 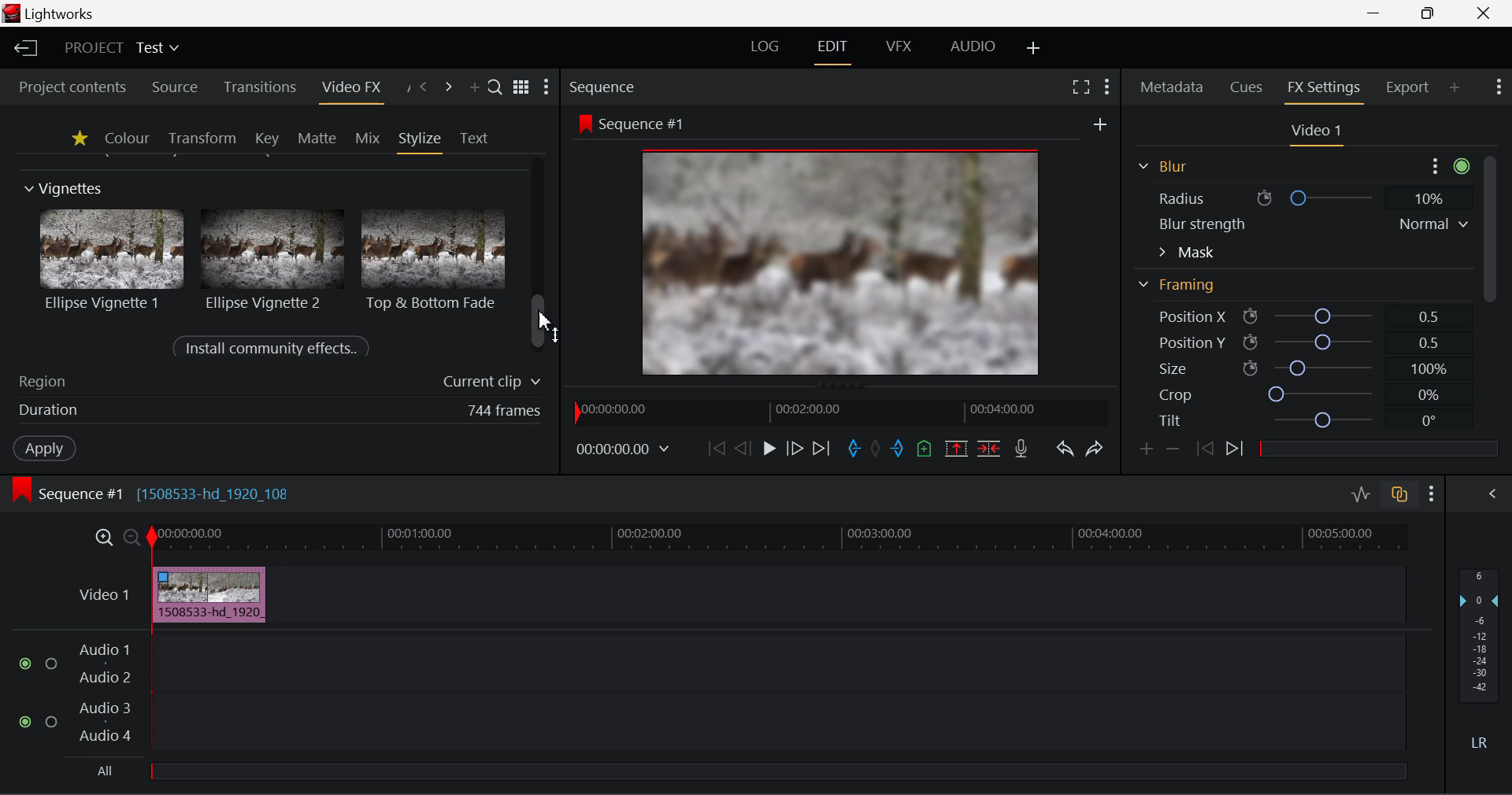 What do you see at coordinates (1378, 13) in the screenshot?
I see `Restore Down` at bounding box center [1378, 13].